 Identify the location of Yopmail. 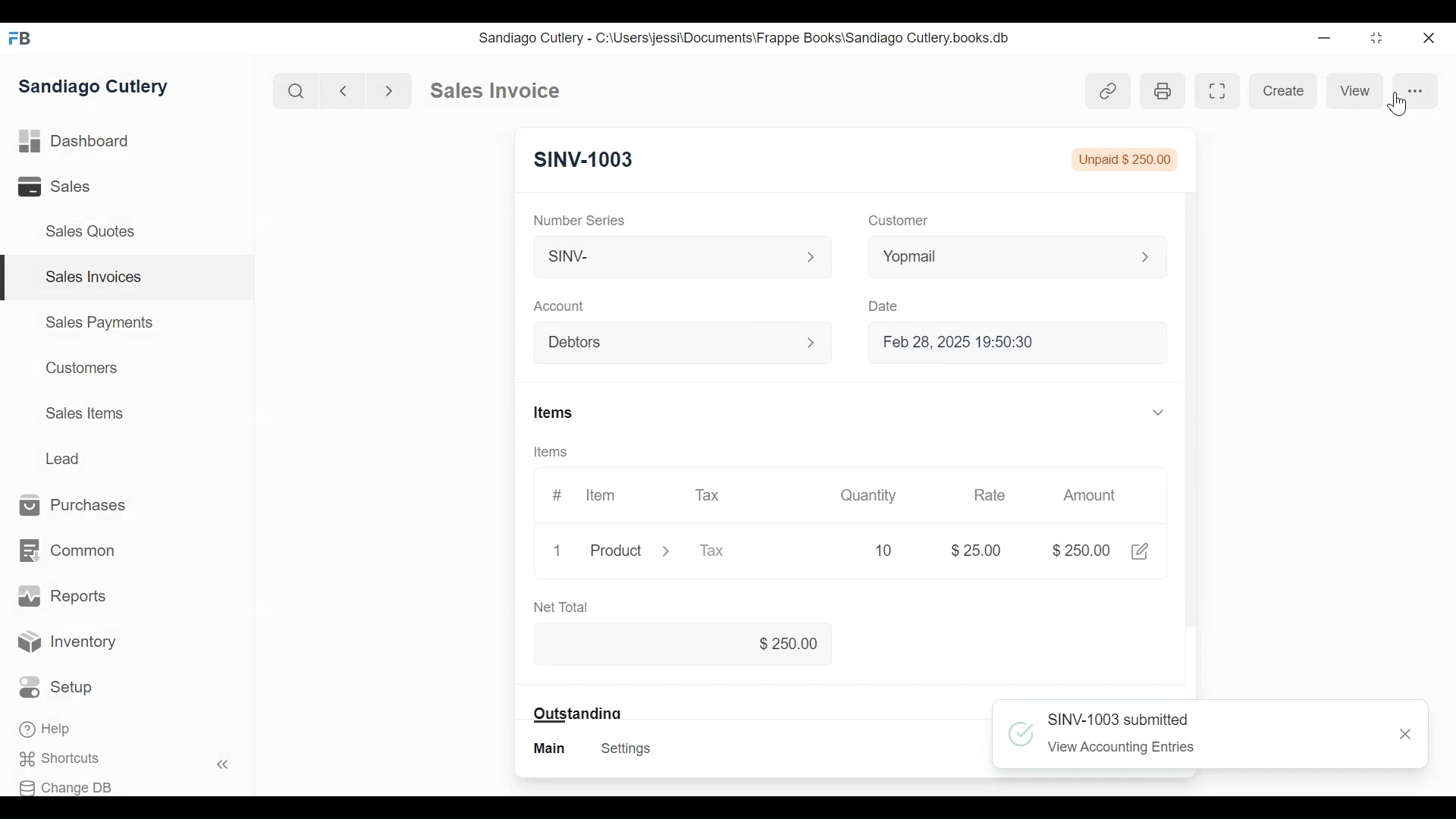
(1018, 256).